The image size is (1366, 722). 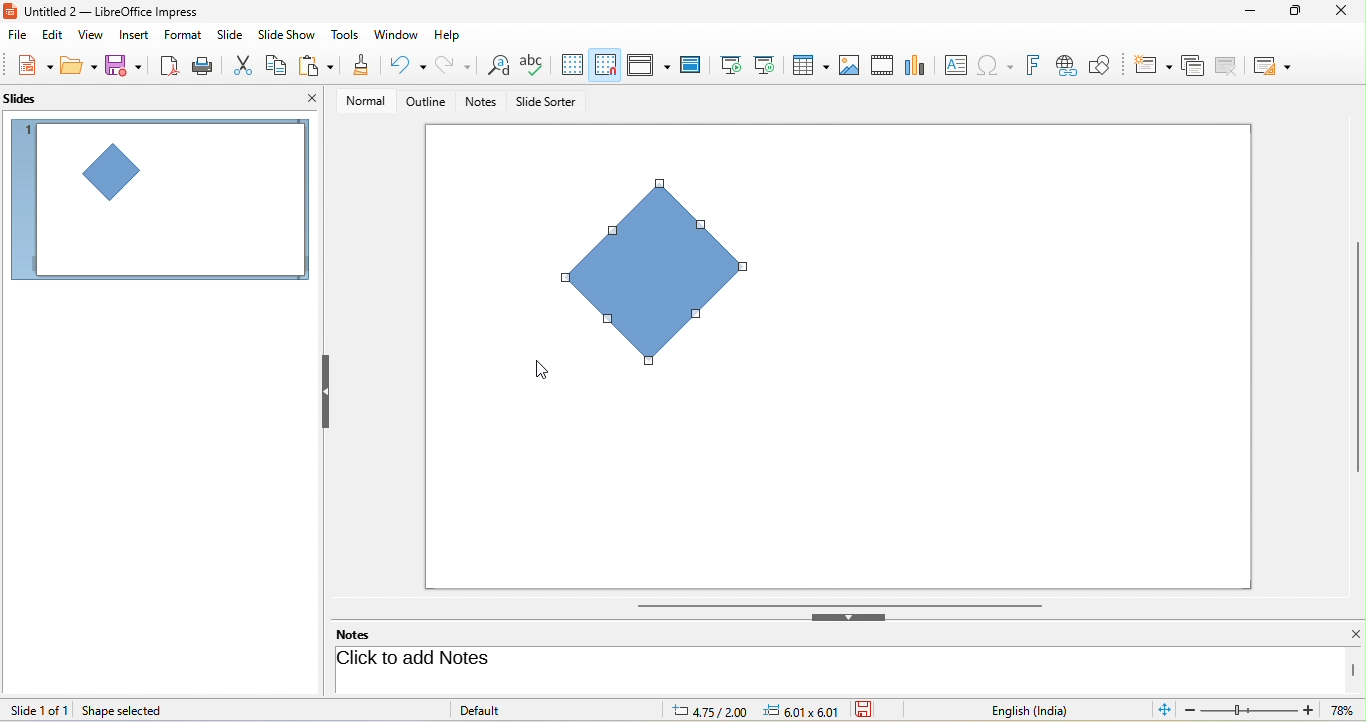 I want to click on spelling, so click(x=535, y=65).